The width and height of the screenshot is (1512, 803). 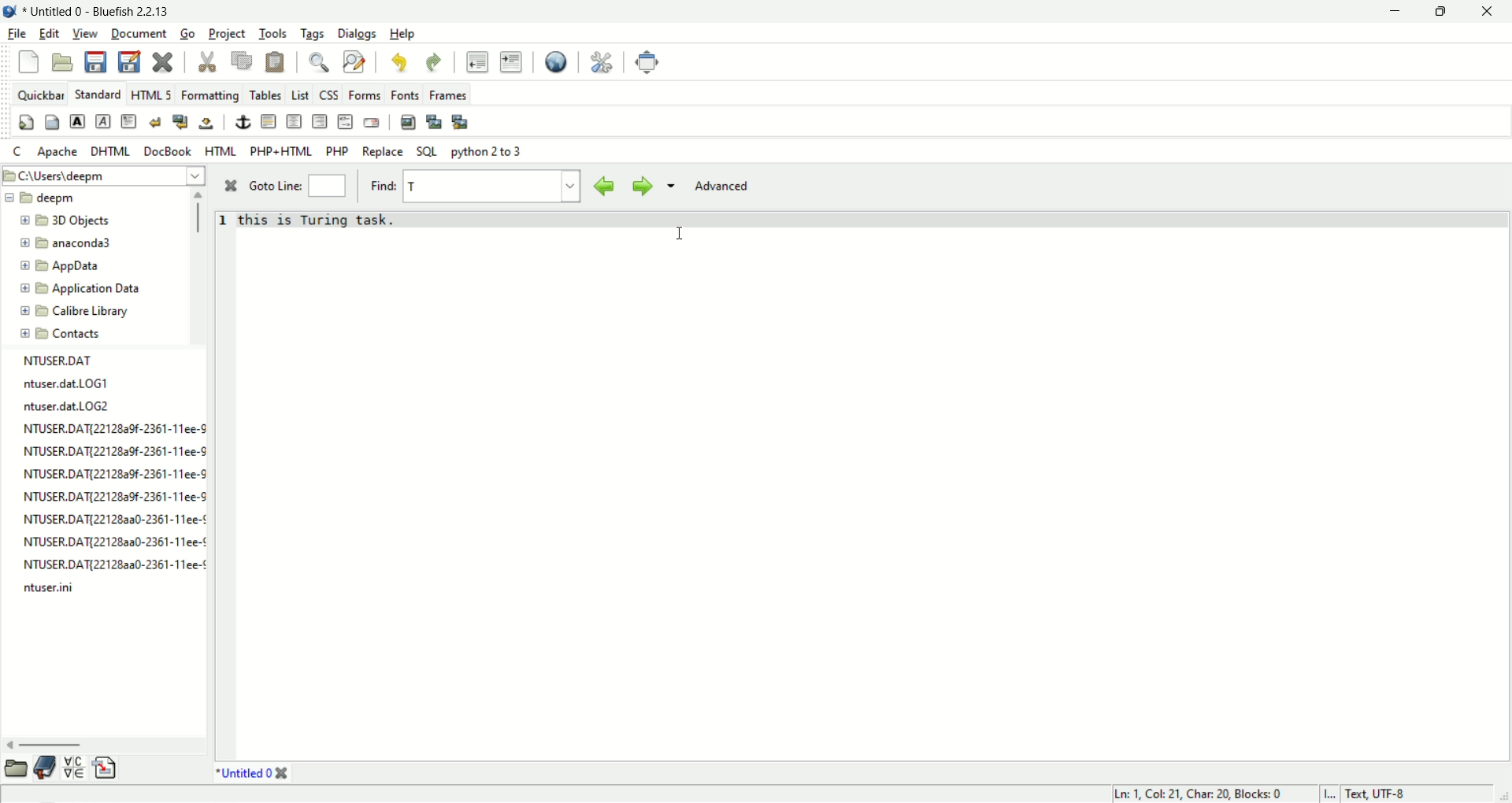 I want to click on document name, so click(x=106, y=9).